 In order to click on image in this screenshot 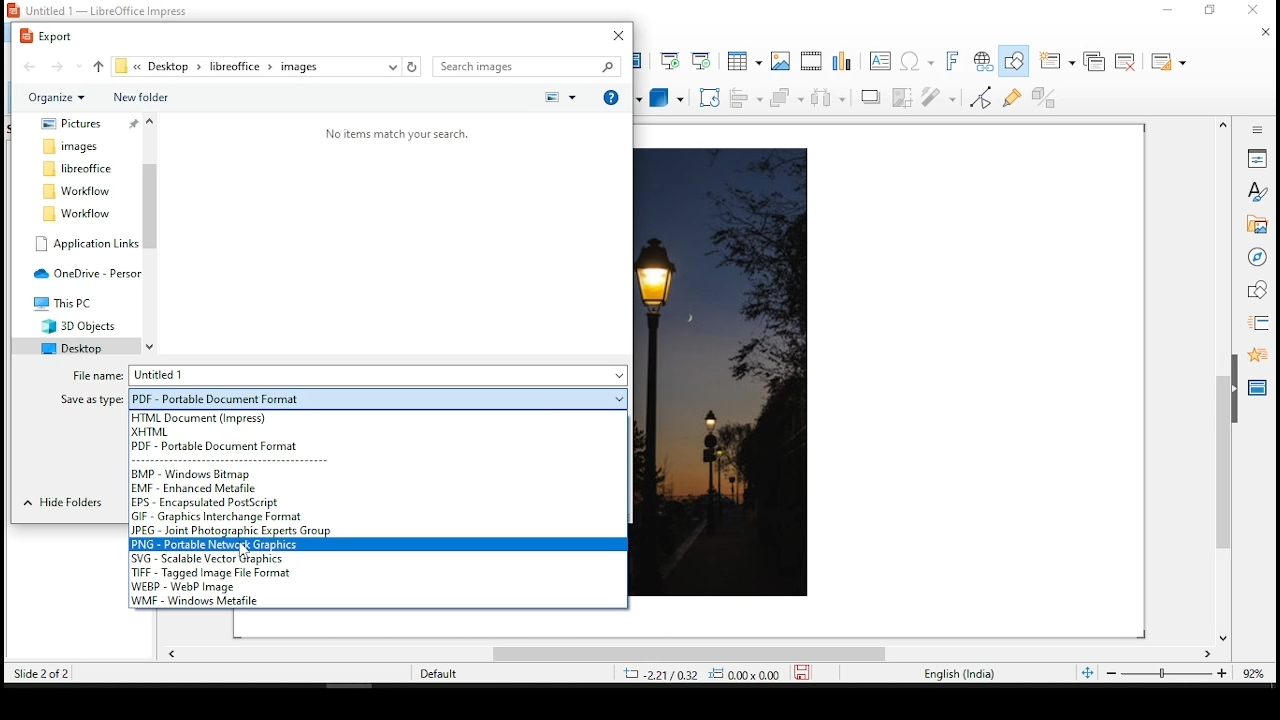, I will do `click(728, 373)`.